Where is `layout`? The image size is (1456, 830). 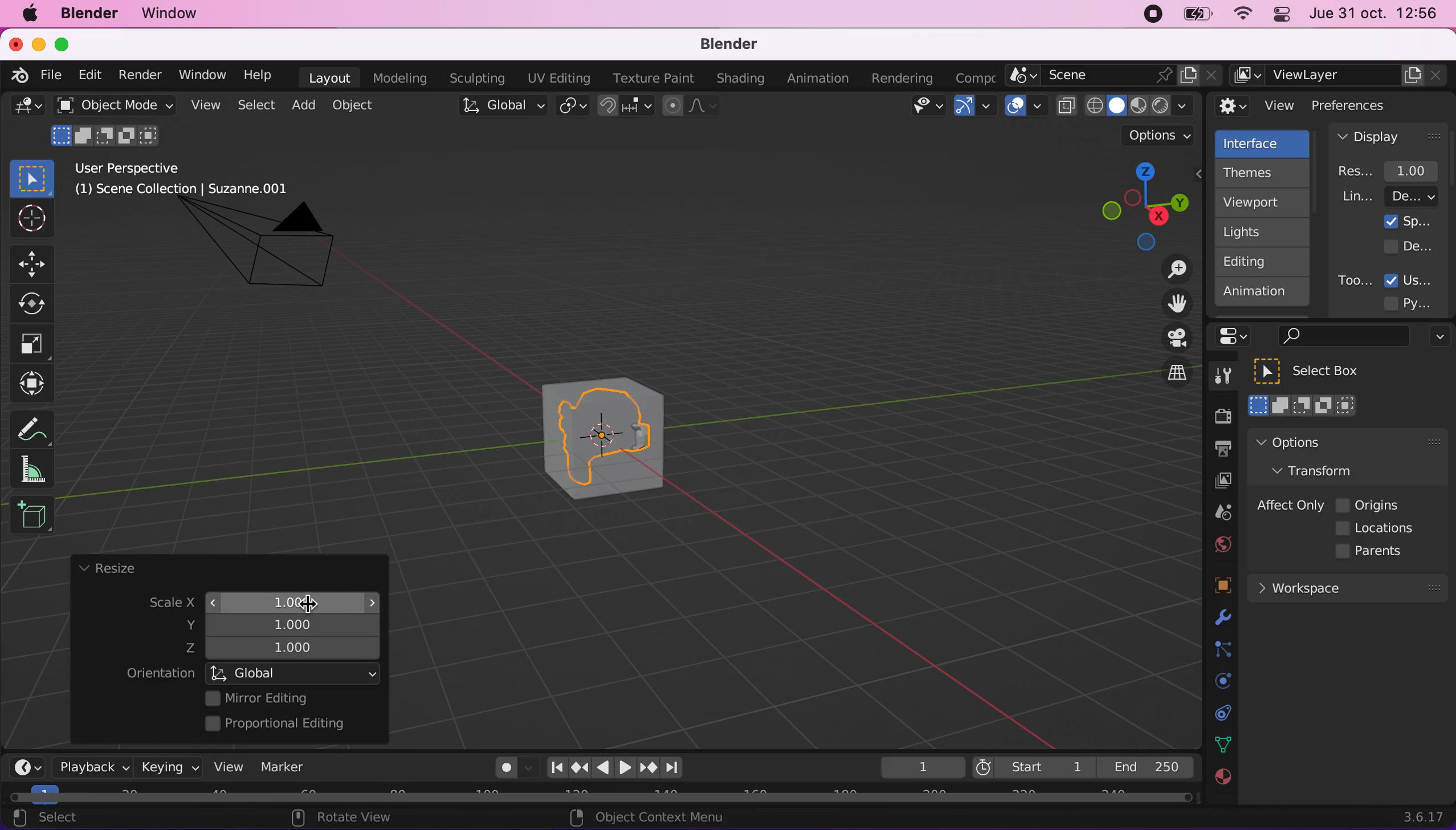
layout is located at coordinates (329, 78).